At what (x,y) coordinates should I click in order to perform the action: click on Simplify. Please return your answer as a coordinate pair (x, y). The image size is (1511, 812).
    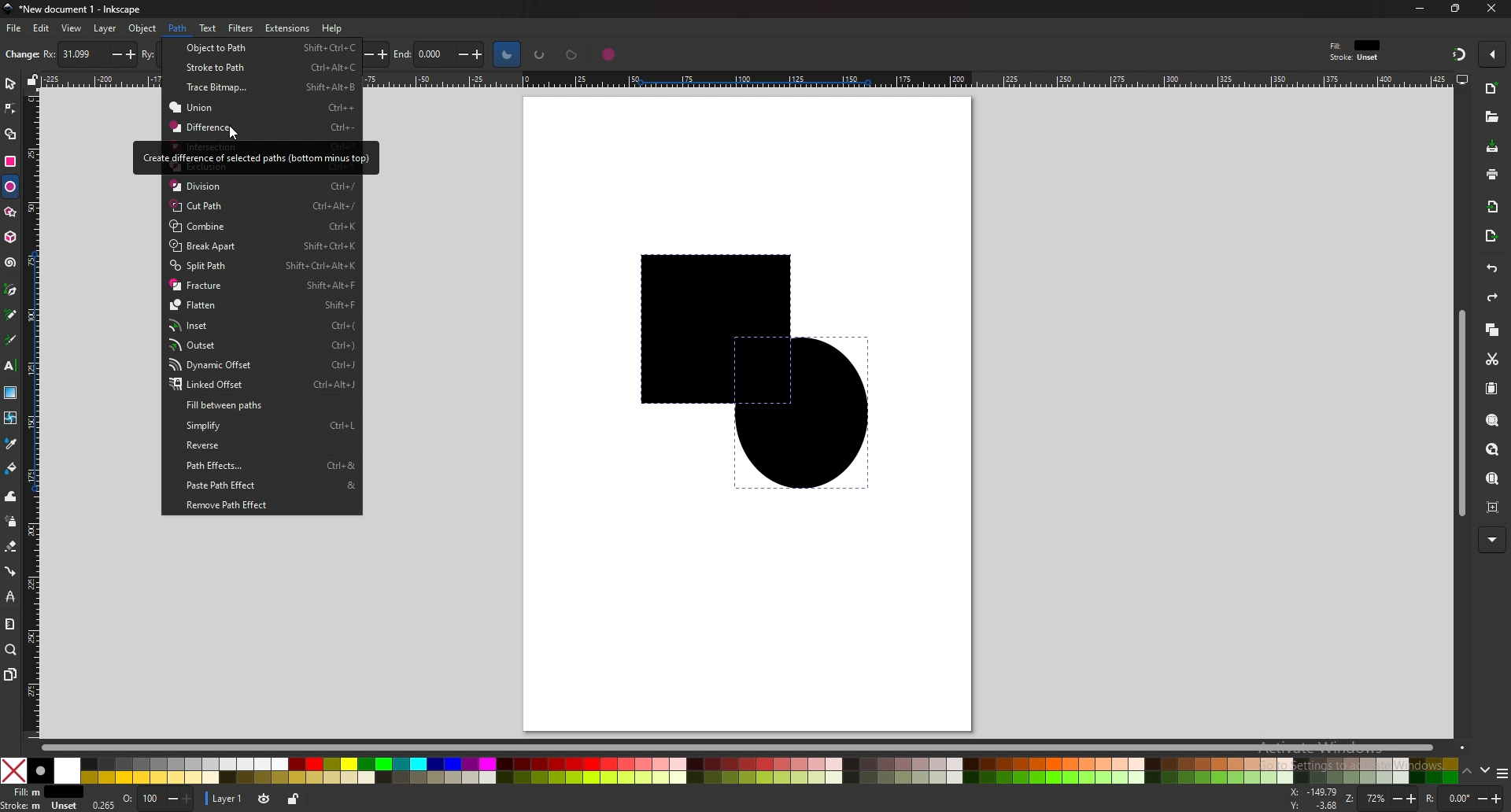
    Looking at the image, I should click on (268, 428).